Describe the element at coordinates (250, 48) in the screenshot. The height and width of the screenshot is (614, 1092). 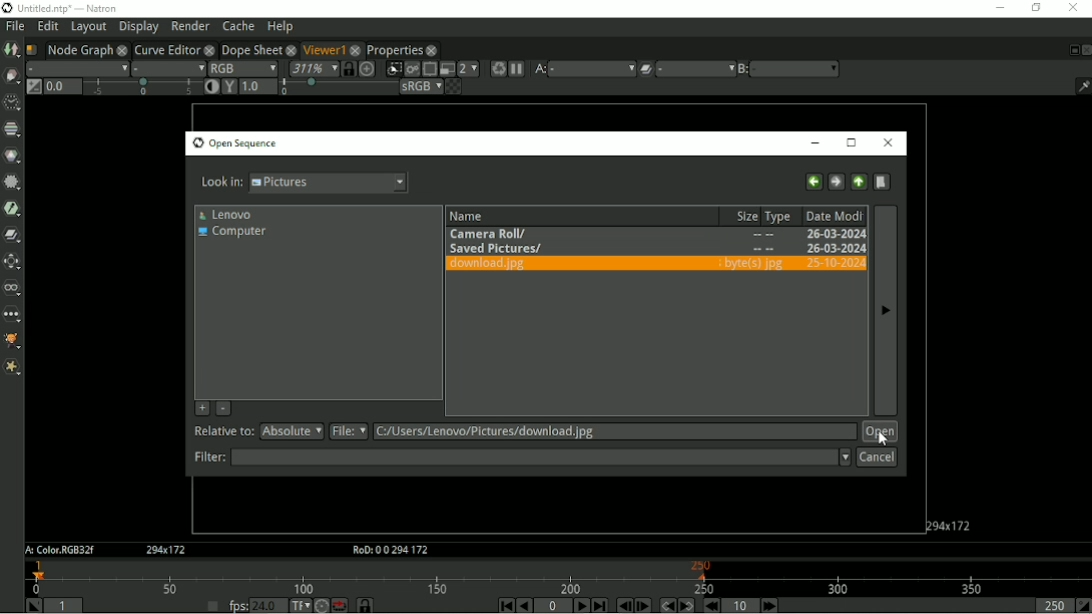
I see `Dope Sheet` at that location.